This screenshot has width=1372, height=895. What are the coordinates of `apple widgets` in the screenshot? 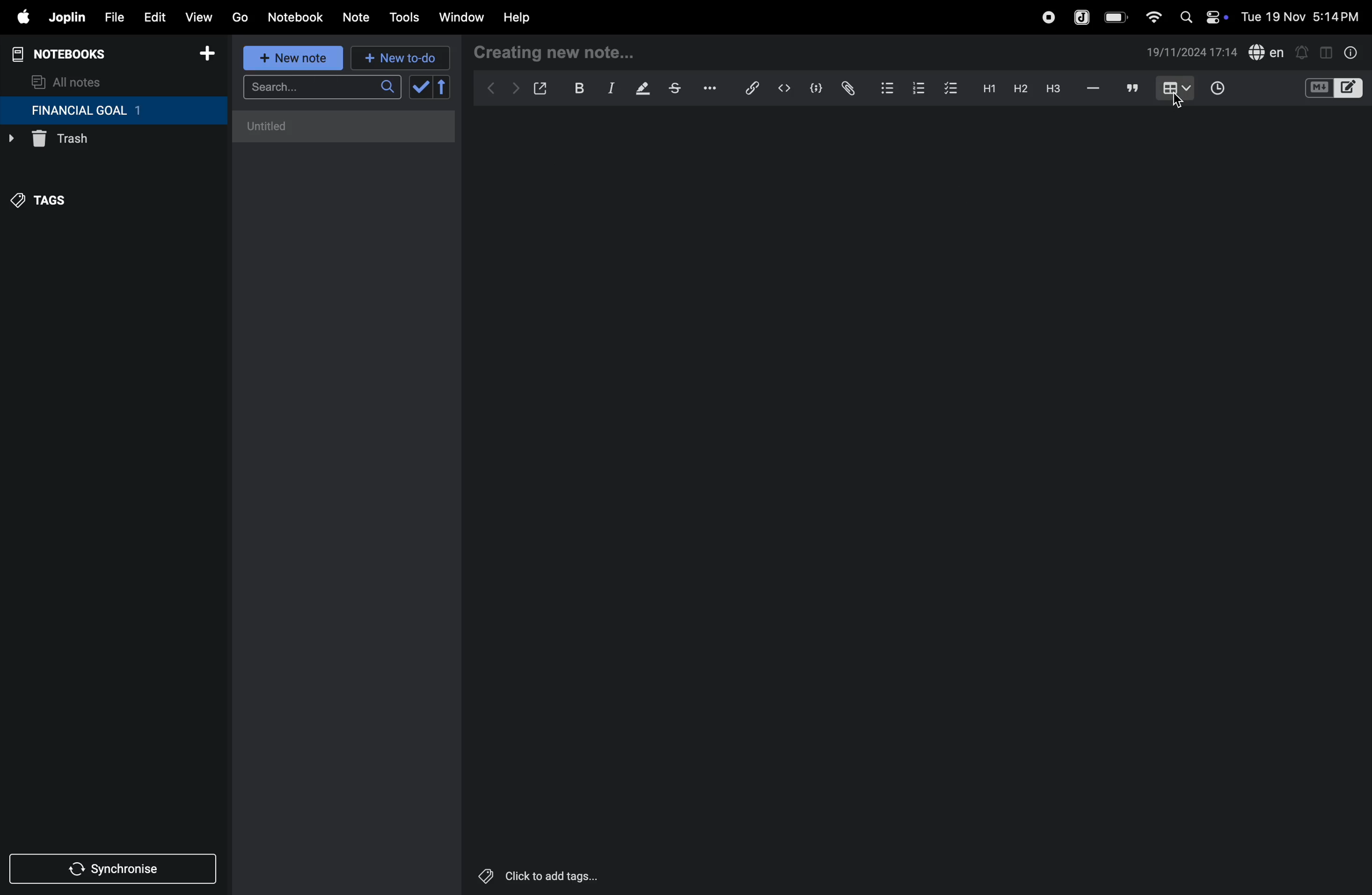 It's located at (1201, 16).